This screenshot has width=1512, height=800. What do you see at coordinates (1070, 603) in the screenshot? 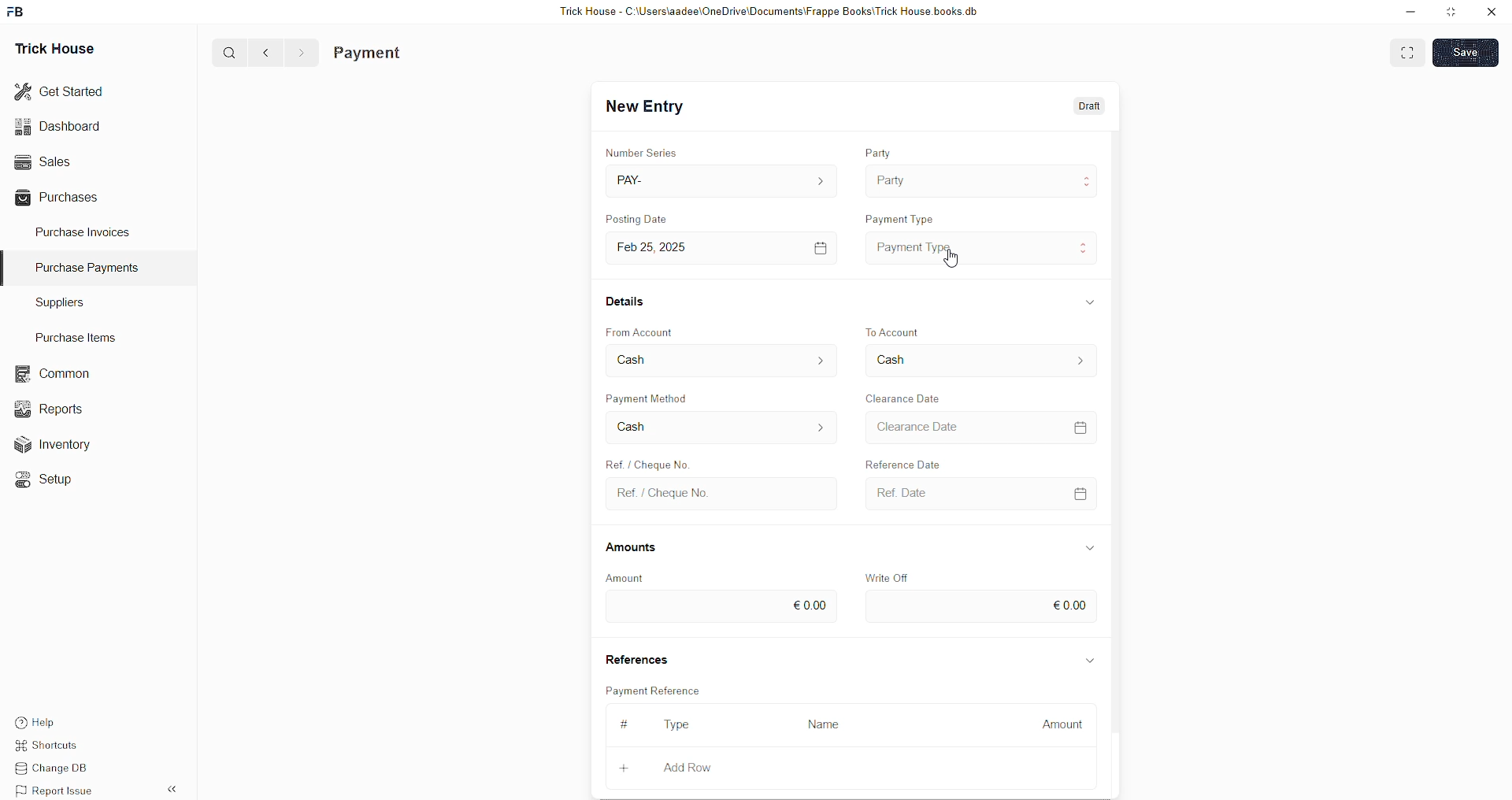
I see `€0.00` at bounding box center [1070, 603].